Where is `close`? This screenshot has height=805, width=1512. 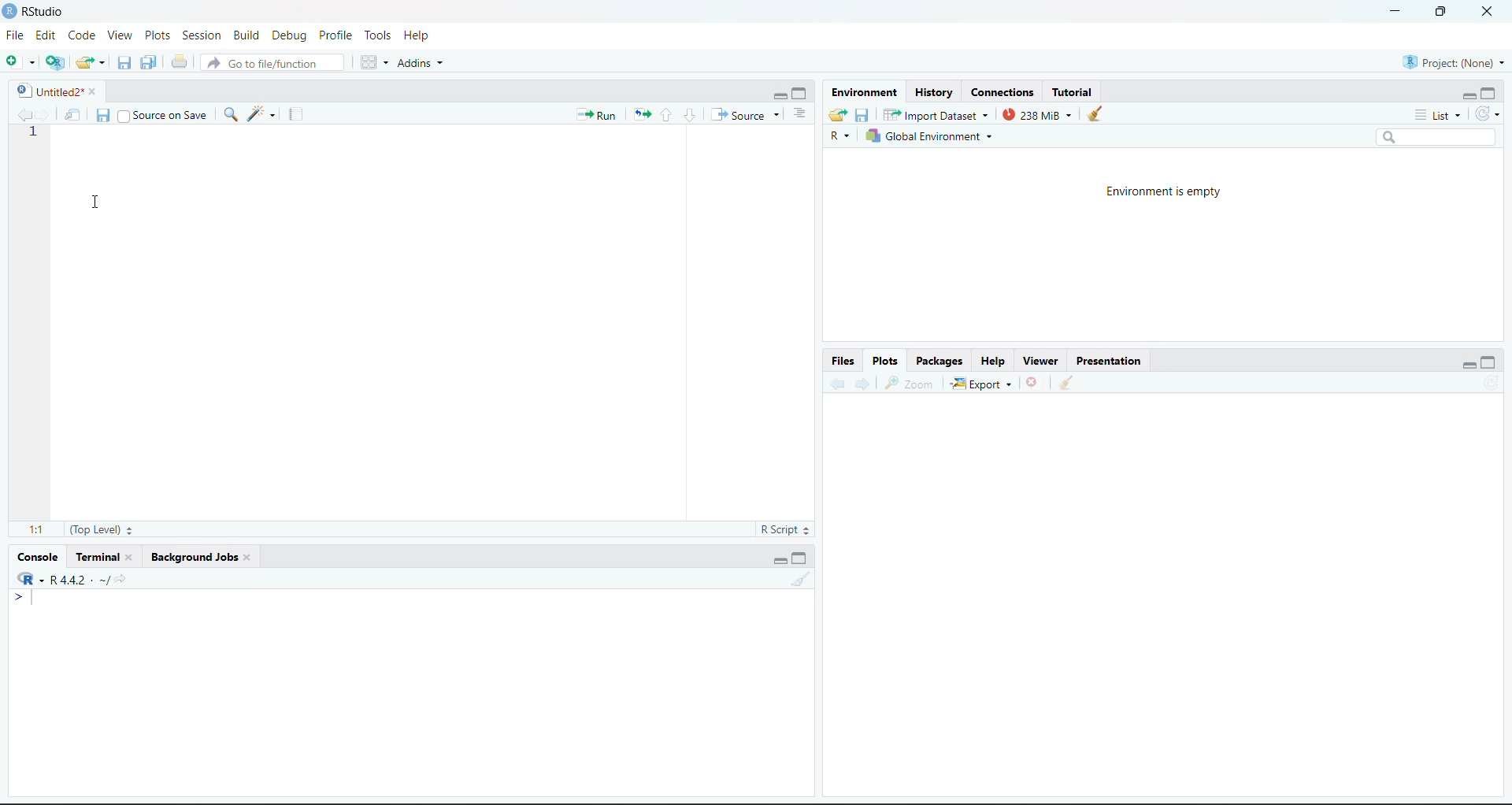
close is located at coordinates (134, 557).